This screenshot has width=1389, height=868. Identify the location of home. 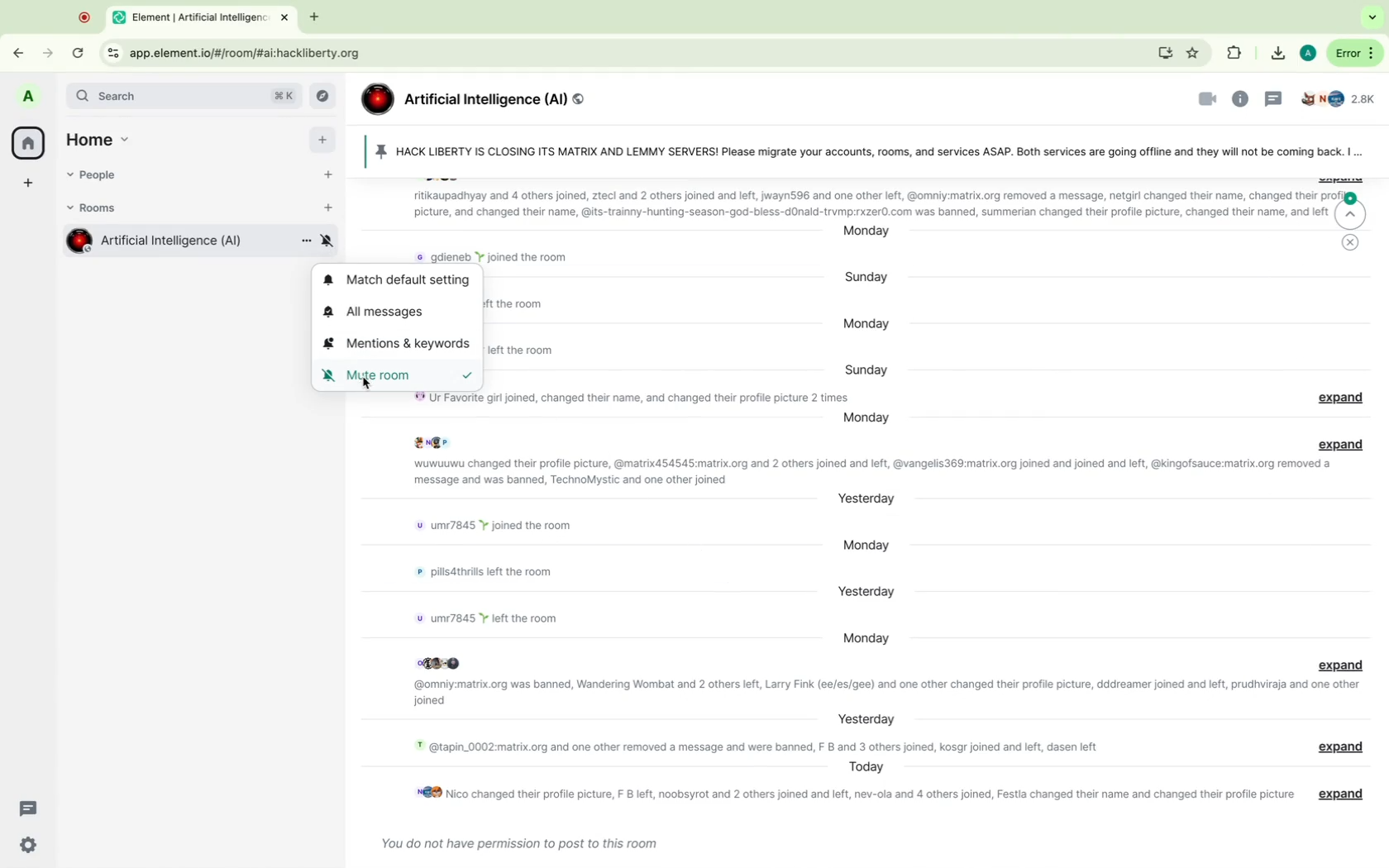
(103, 137).